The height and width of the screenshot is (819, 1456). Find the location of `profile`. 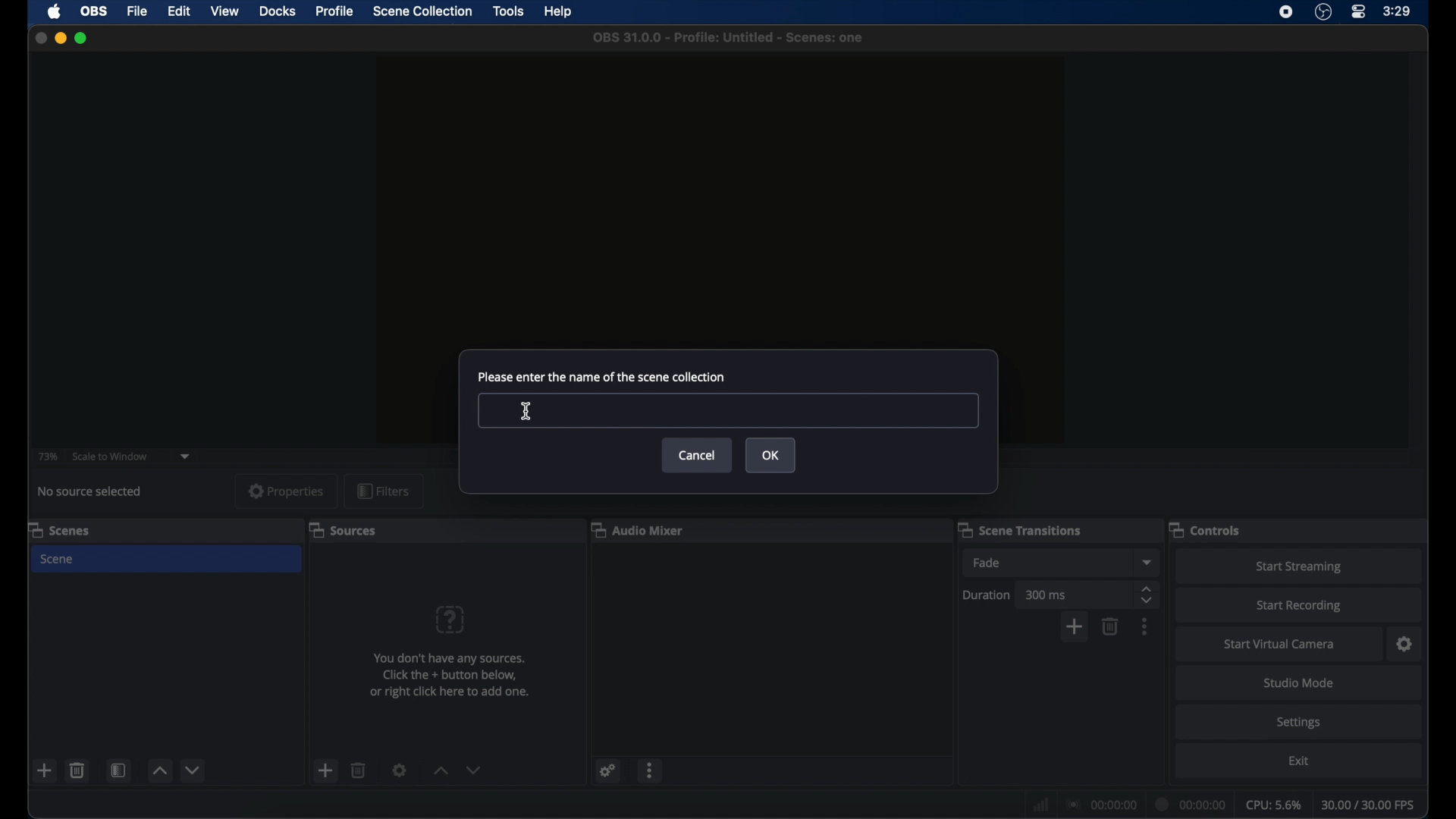

profile is located at coordinates (335, 11).